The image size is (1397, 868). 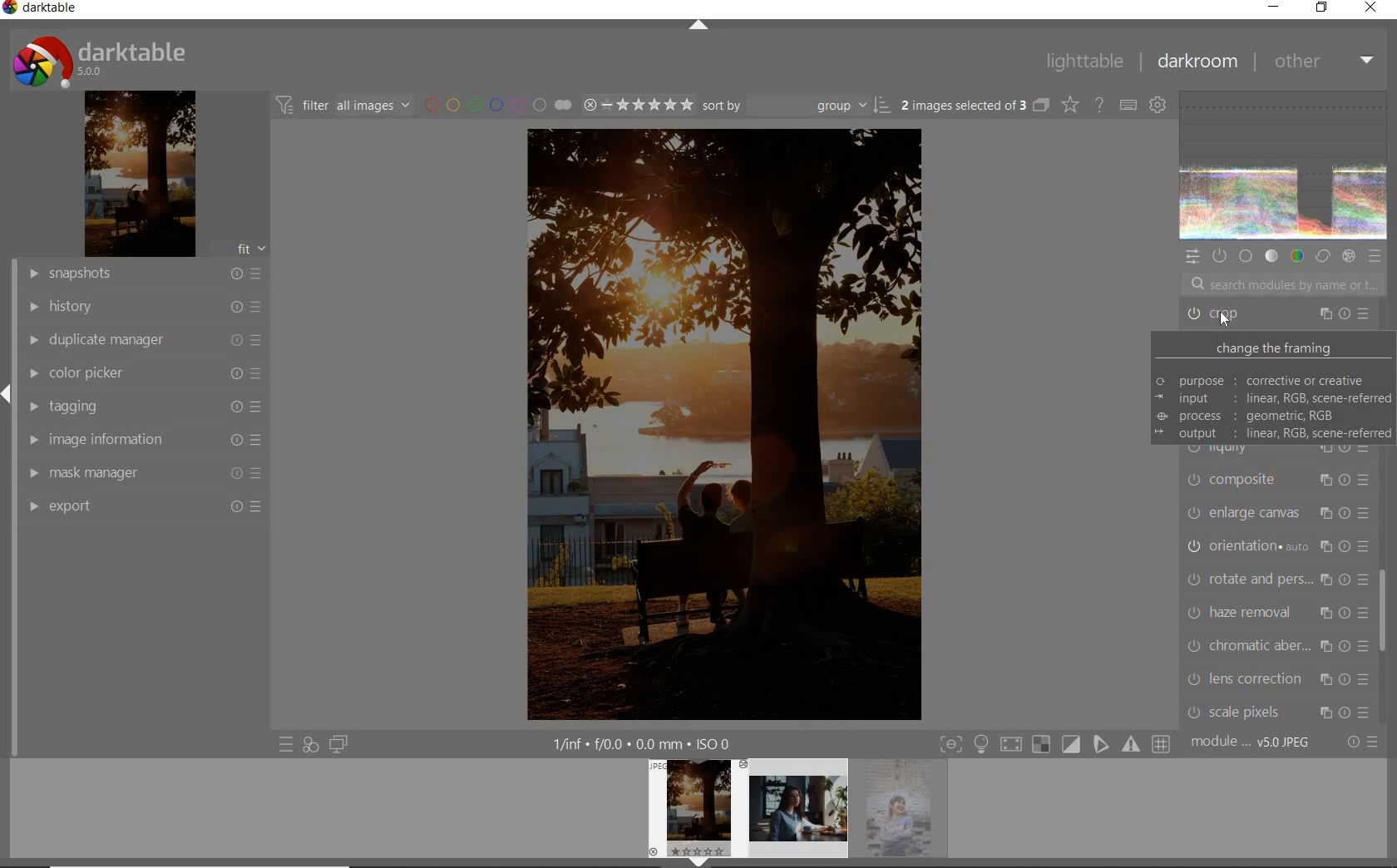 What do you see at coordinates (1279, 451) in the screenshot?
I see `liquify` at bounding box center [1279, 451].